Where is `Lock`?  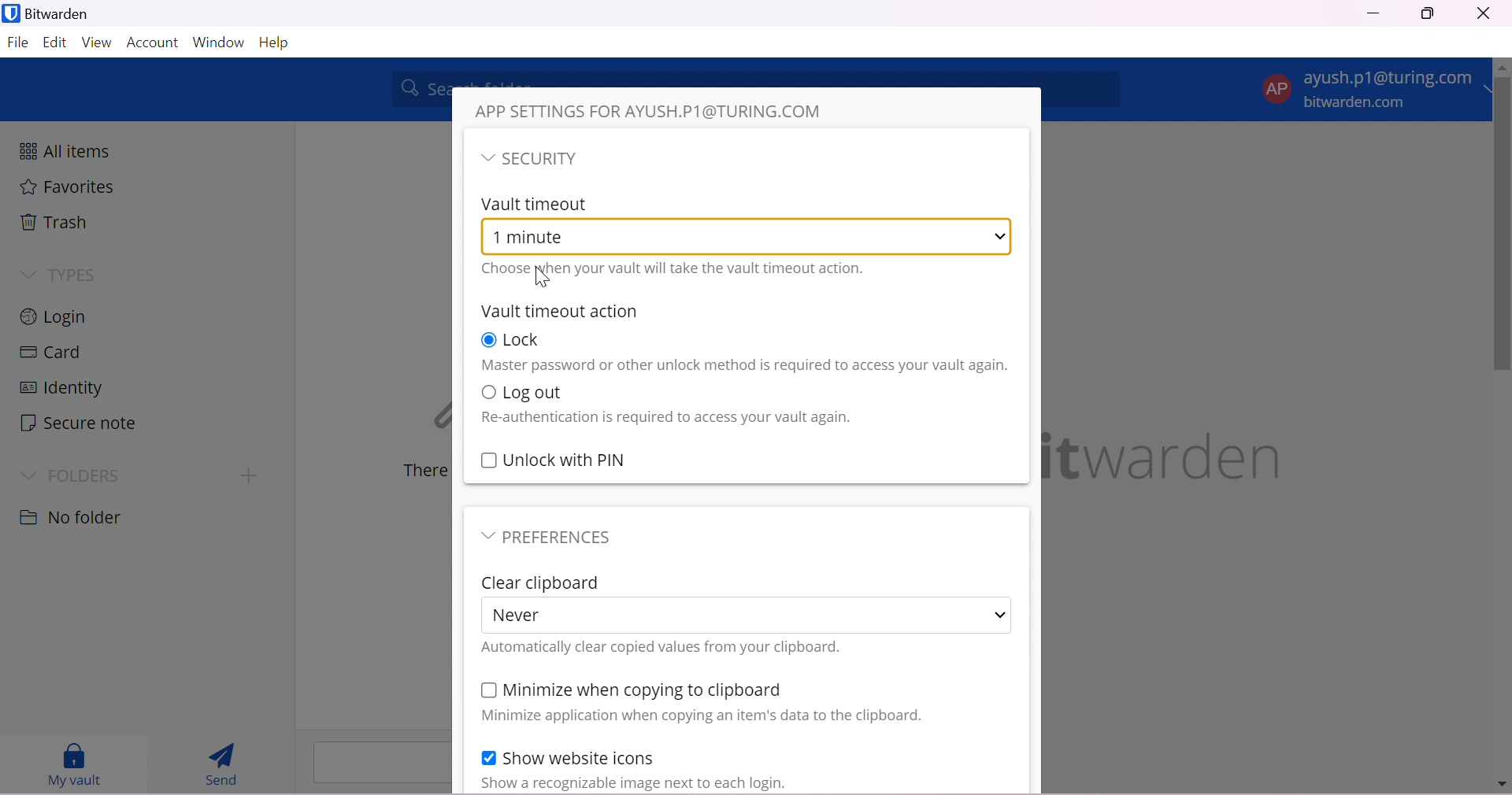 Lock is located at coordinates (528, 339).